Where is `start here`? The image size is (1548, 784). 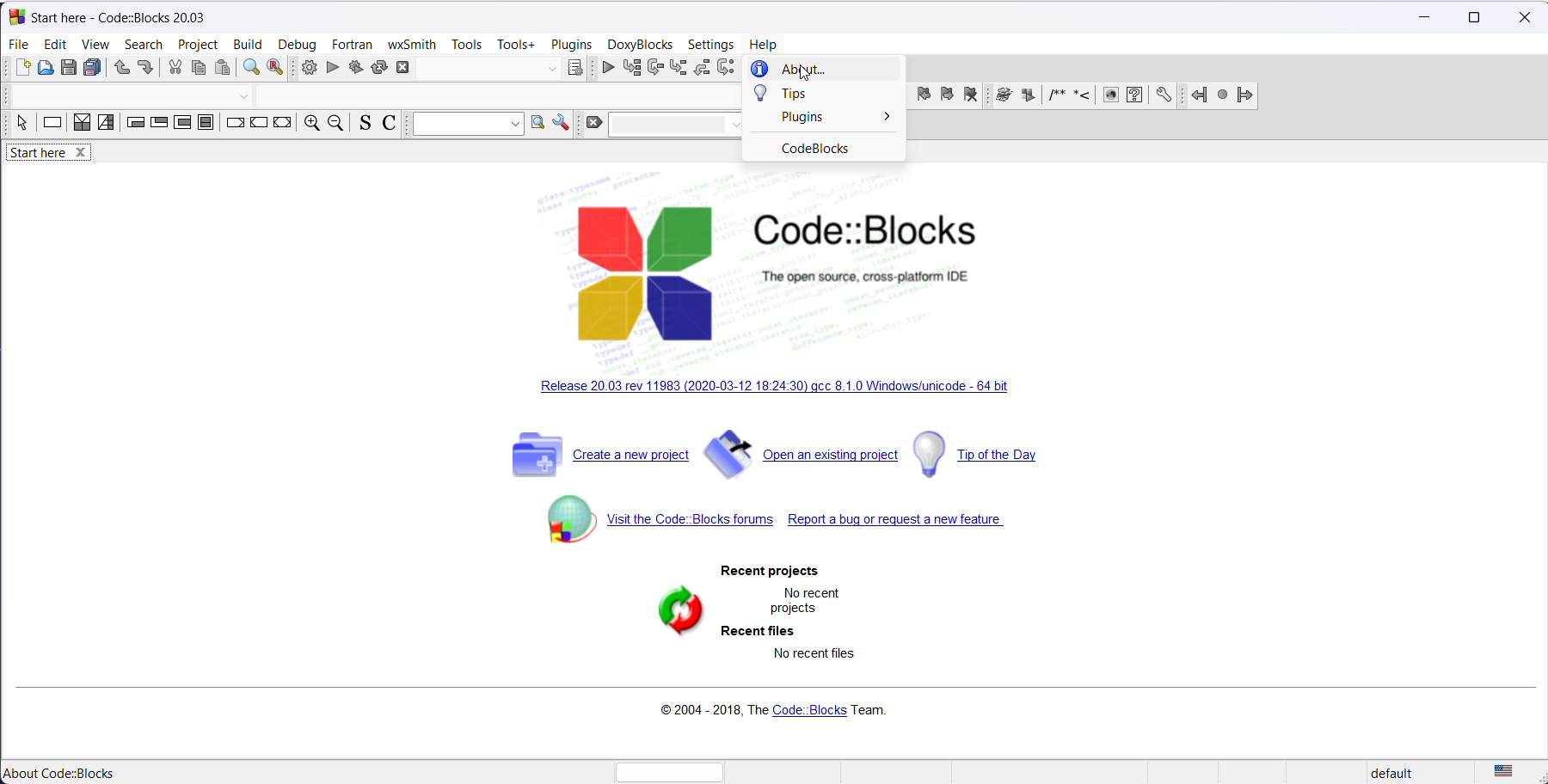 start here is located at coordinates (55, 156).